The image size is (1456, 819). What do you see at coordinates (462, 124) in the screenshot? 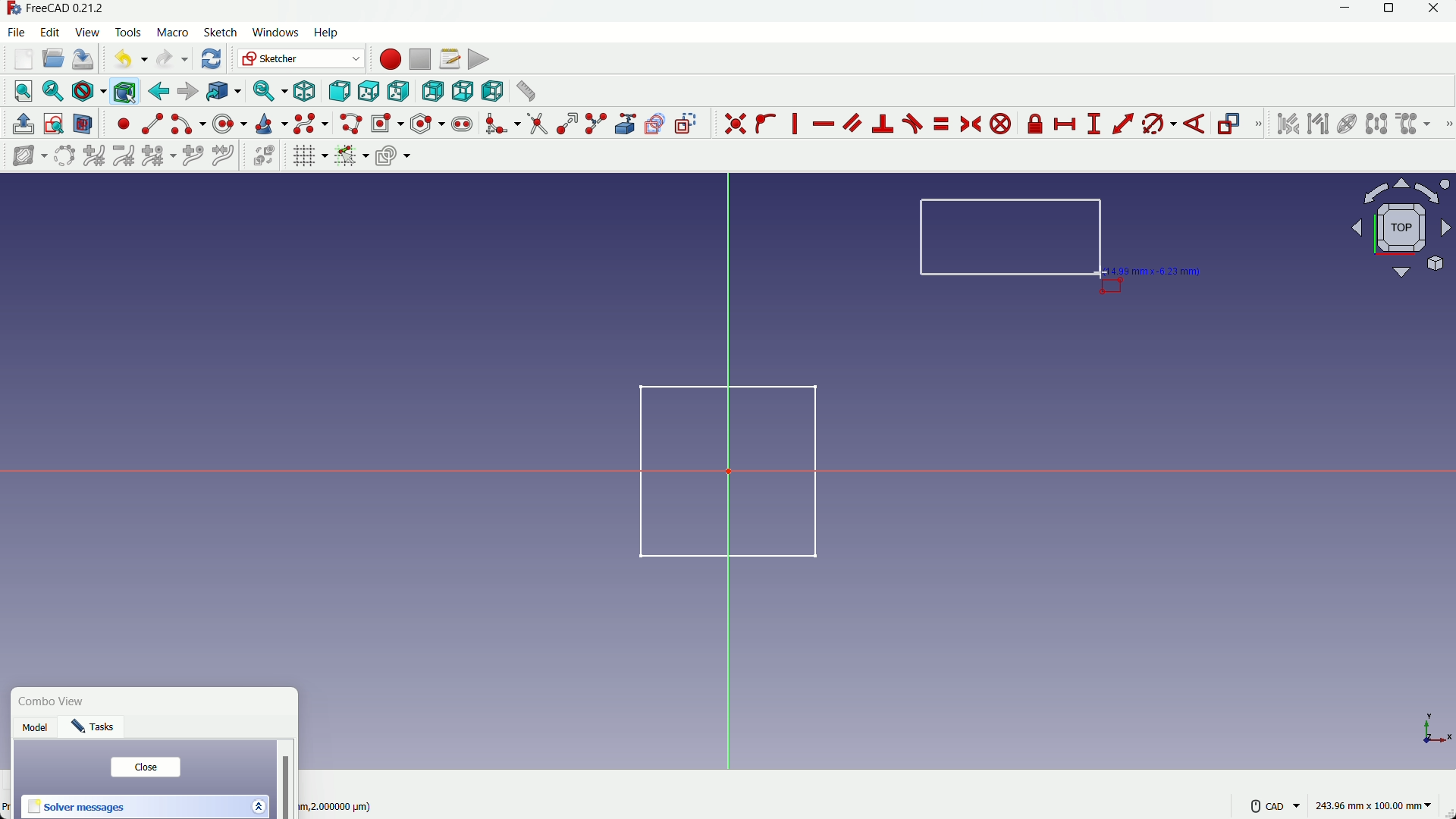
I see `create slot` at bounding box center [462, 124].